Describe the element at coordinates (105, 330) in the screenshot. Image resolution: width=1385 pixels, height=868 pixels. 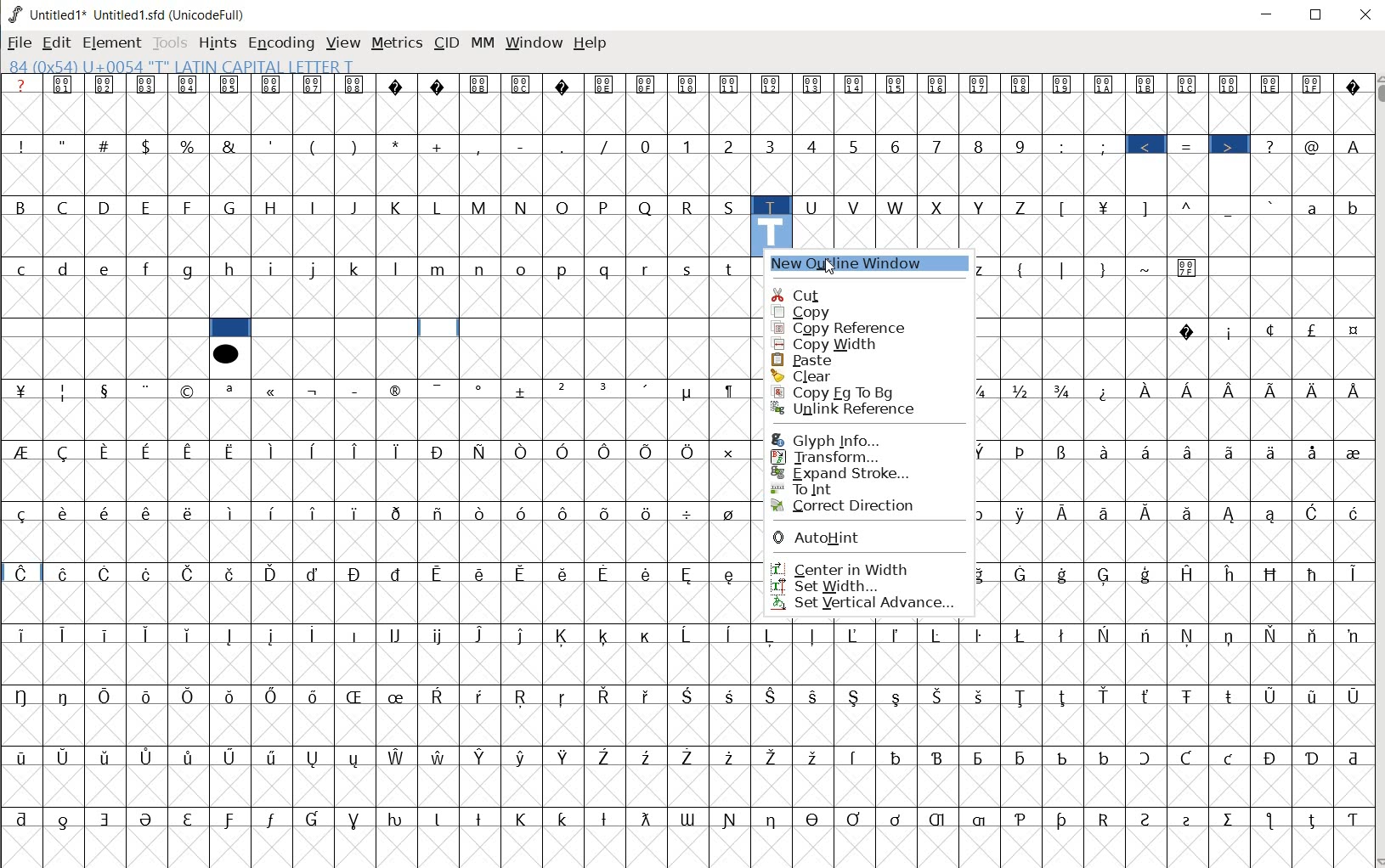
I see `empty spaces` at that location.